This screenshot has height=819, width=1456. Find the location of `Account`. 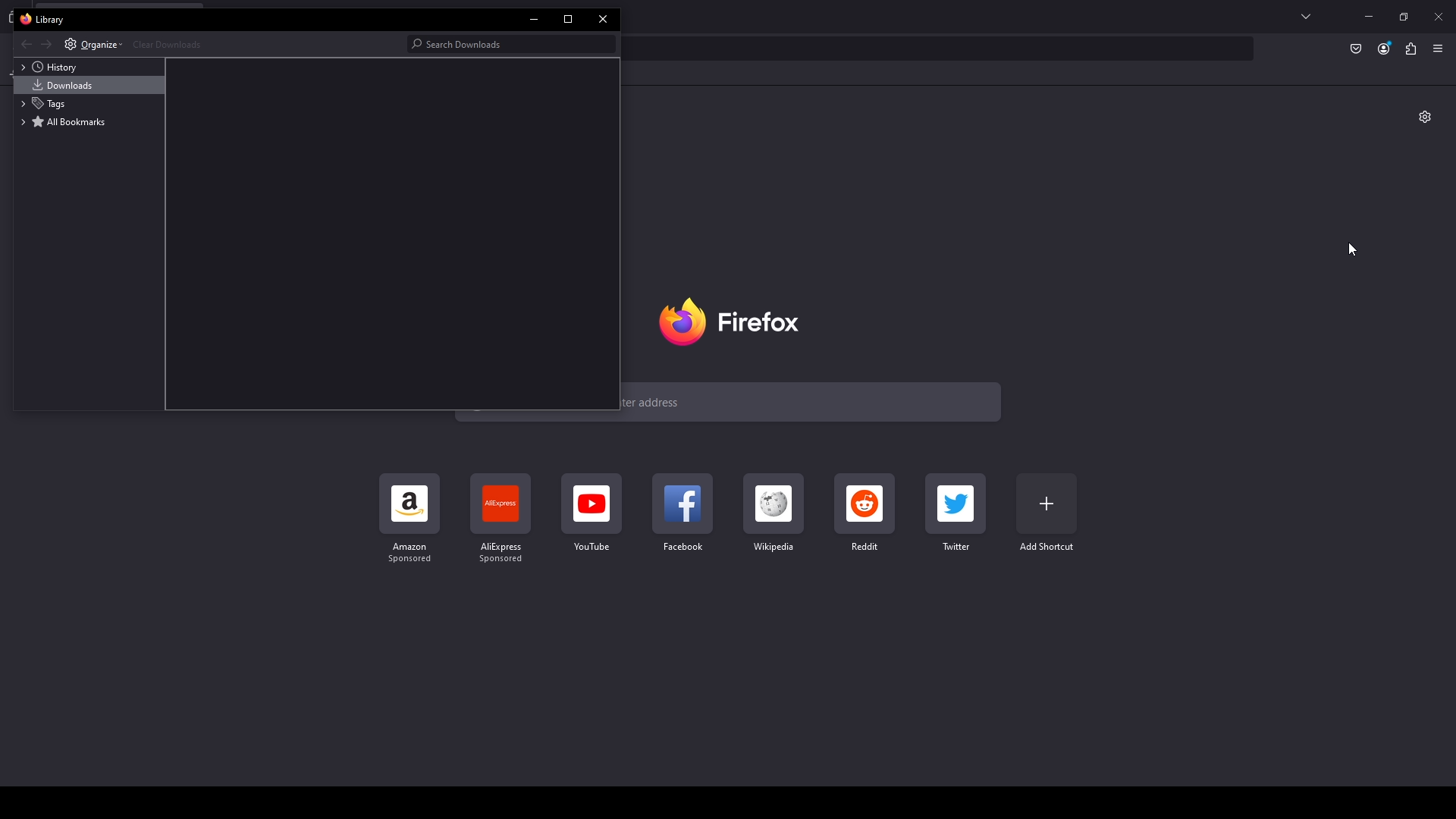

Account is located at coordinates (1384, 49).